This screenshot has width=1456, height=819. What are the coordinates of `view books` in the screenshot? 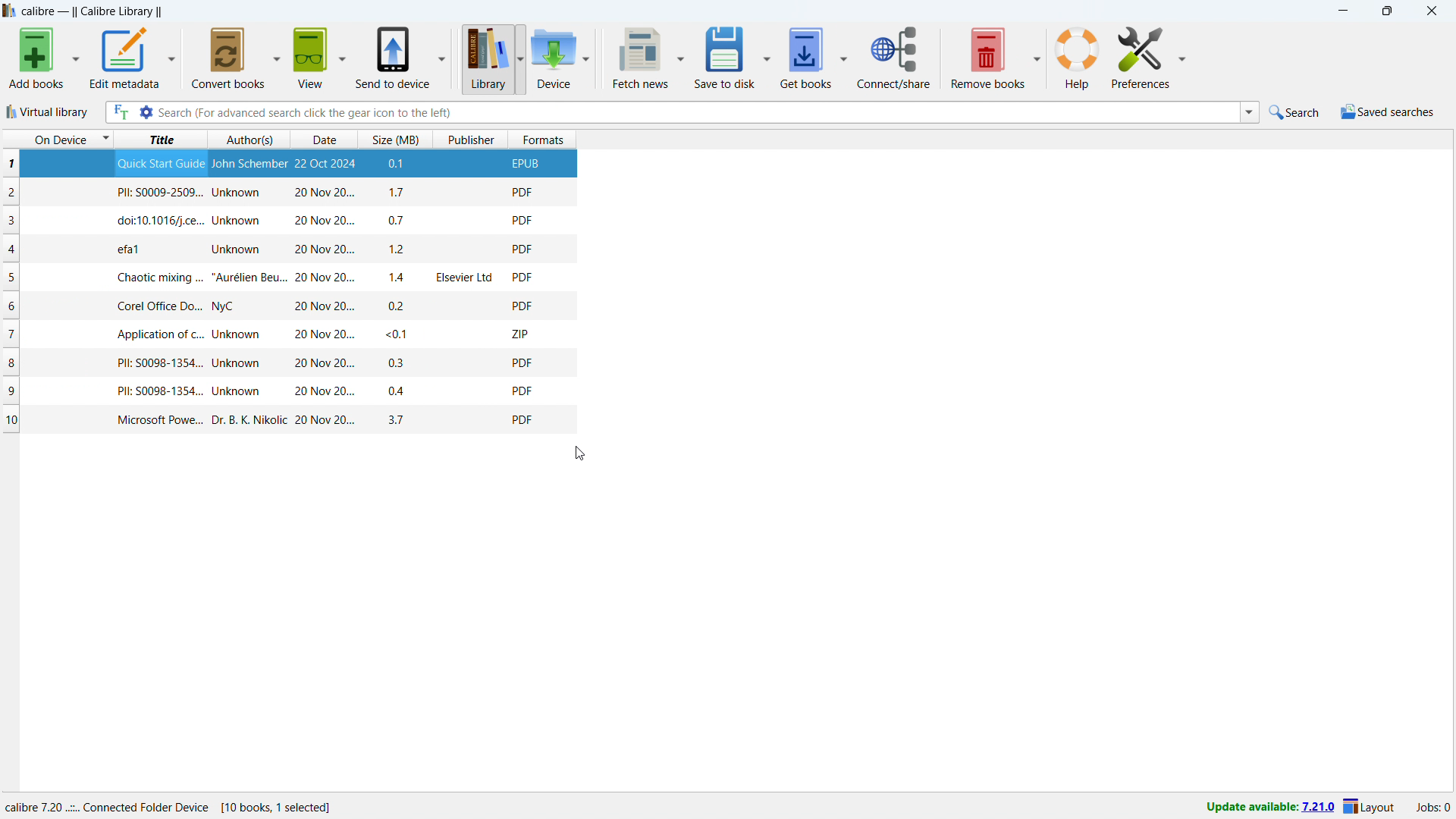 It's located at (310, 55).